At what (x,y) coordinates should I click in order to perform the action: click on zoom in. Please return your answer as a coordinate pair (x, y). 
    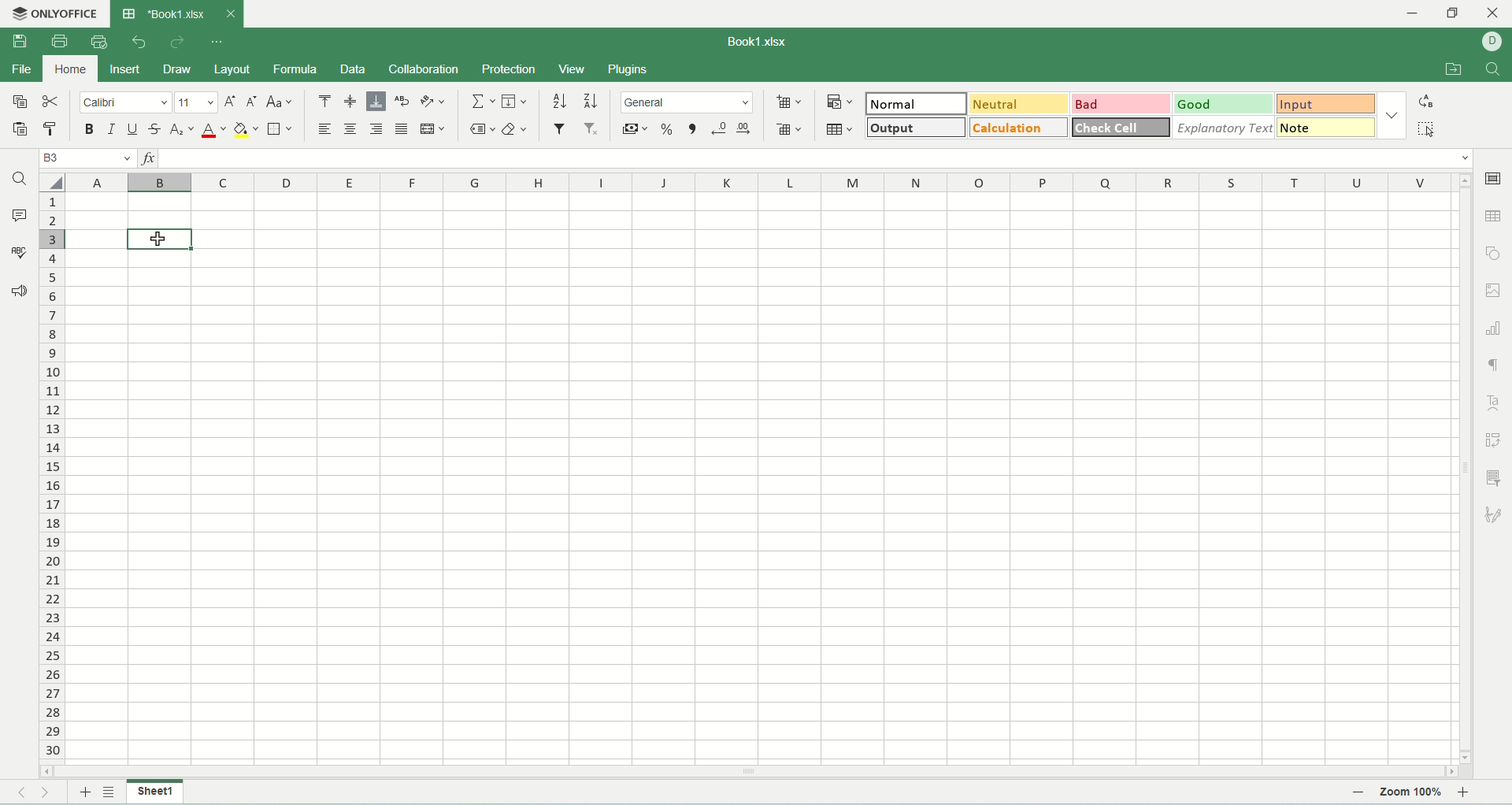
    Looking at the image, I should click on (1466, 792).